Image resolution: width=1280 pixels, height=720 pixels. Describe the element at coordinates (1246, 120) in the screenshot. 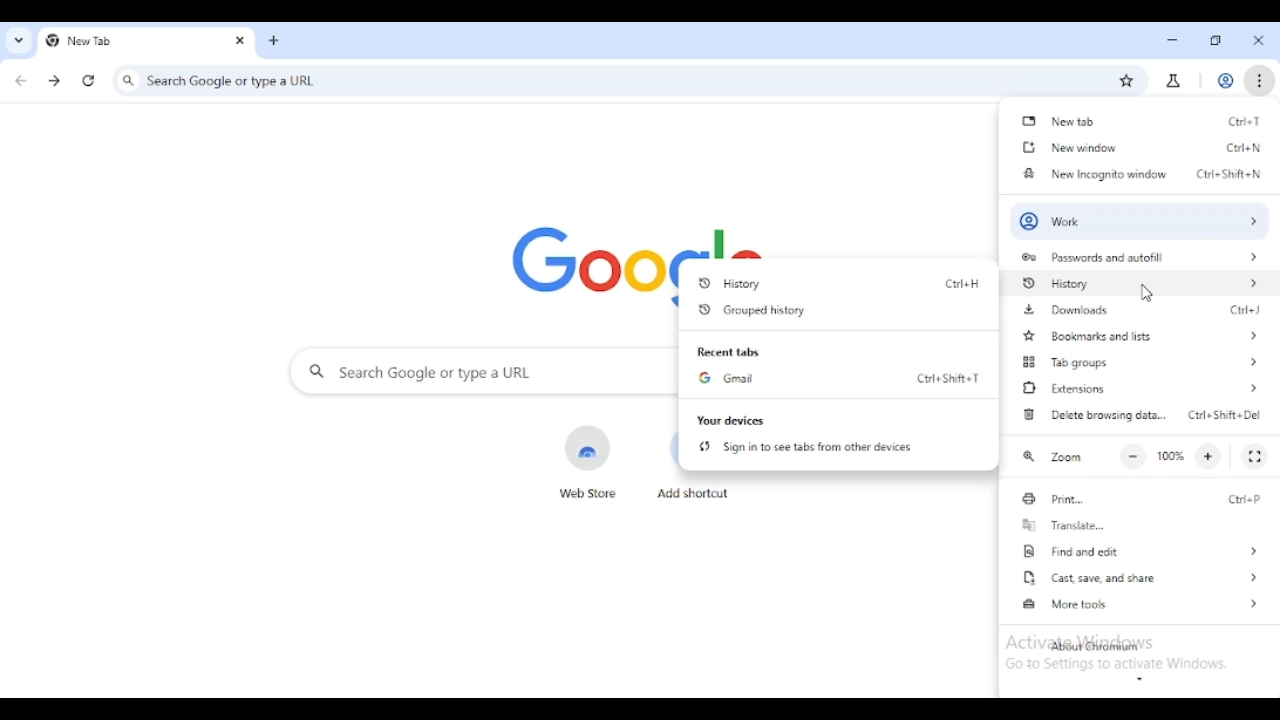

I see `shortcut for new tab` at that location.